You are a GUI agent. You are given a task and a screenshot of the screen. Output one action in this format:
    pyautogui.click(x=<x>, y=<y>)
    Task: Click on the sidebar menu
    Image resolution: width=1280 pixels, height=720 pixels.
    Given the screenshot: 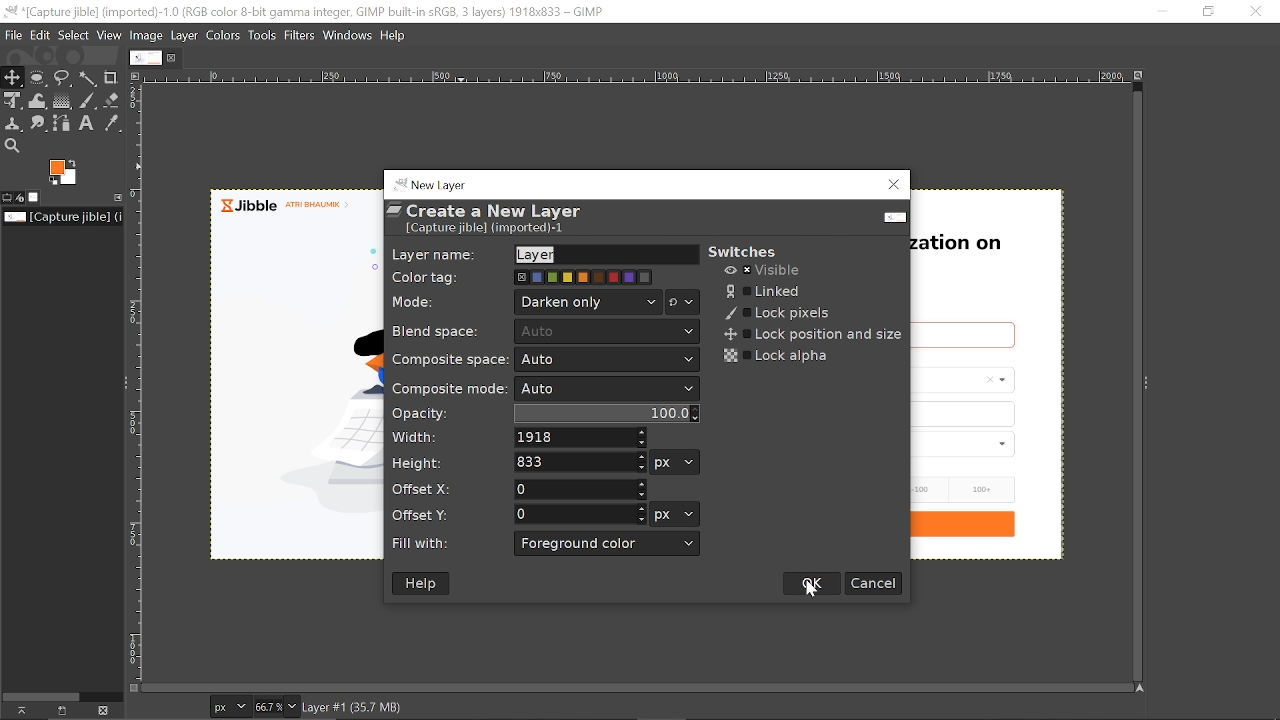 What is the action you would take?
    pyautogui.click(x=1146, y=381)
    